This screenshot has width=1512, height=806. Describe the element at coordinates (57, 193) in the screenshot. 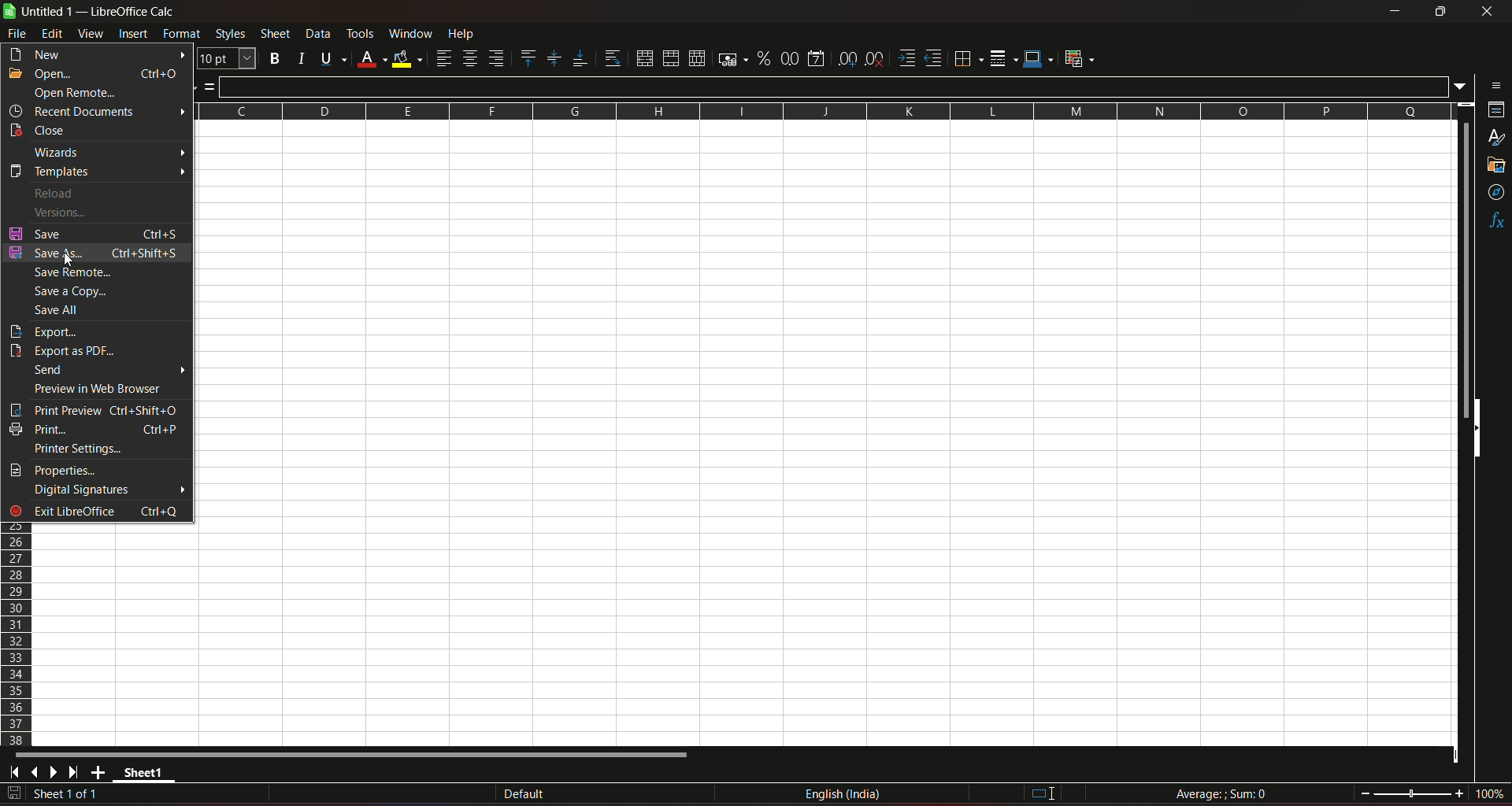

I see `reload` at that location.